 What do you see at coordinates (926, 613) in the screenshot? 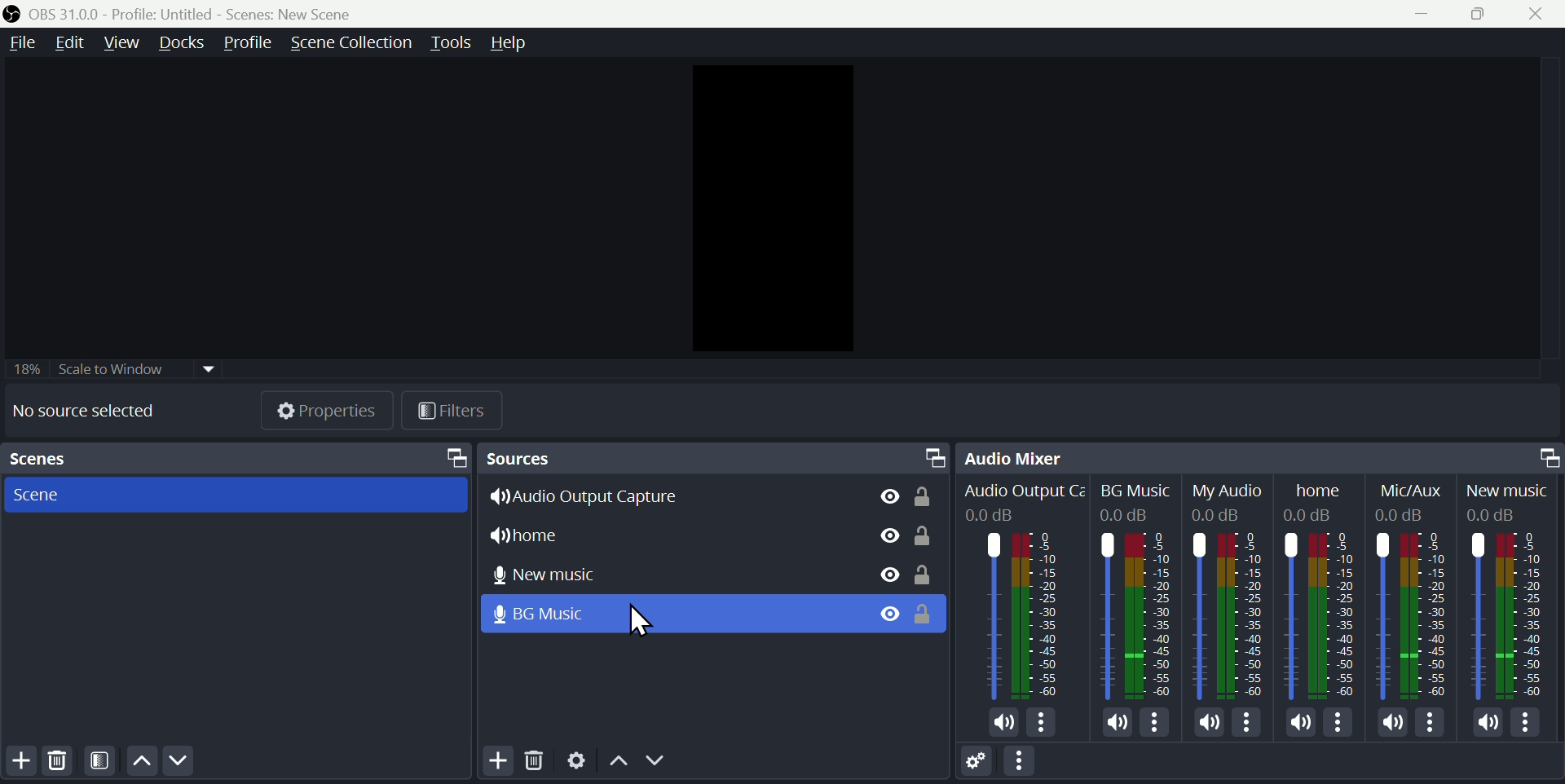
I see `lock/unlock` at bounding box center [926, 613].